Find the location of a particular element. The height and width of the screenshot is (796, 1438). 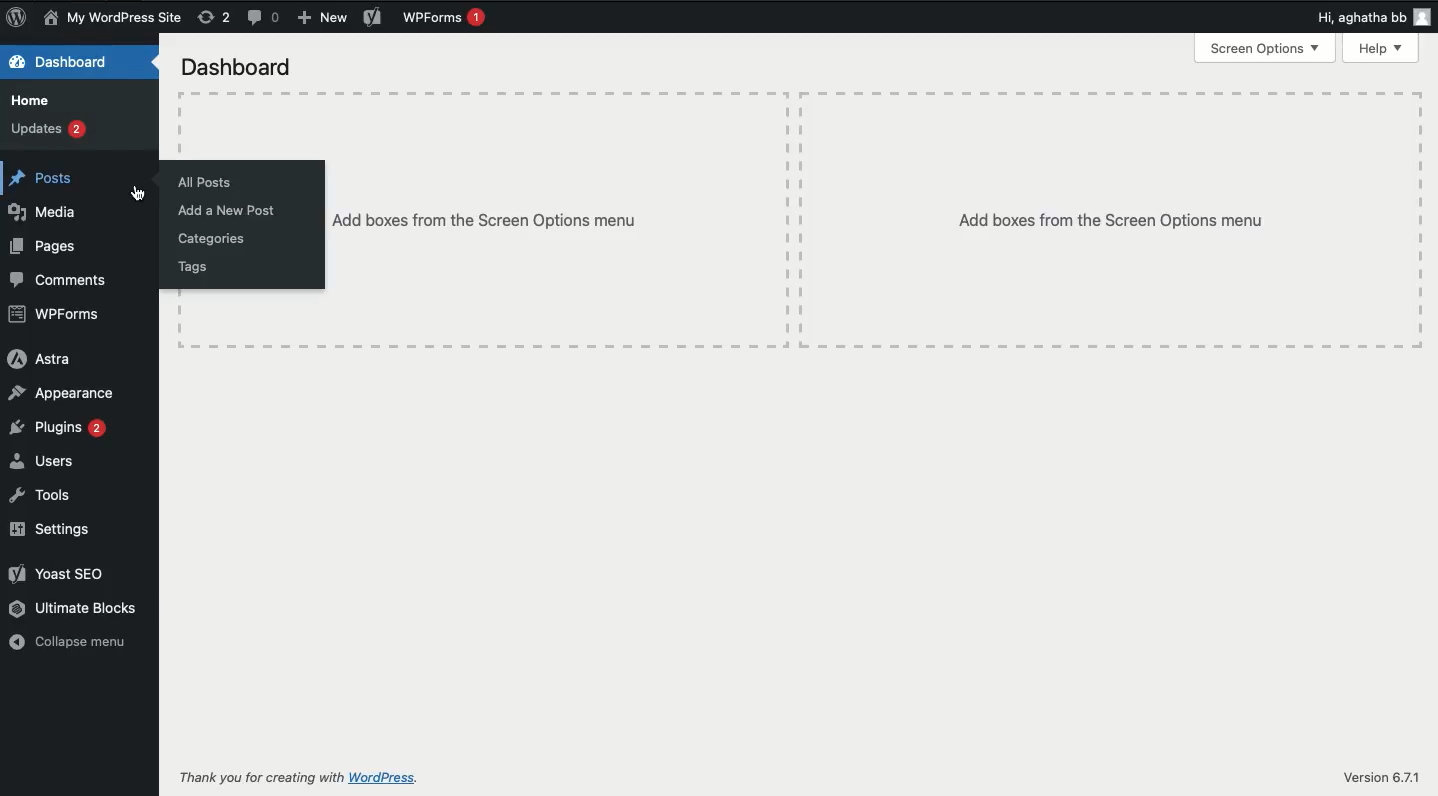

Posts is located at coordinates (42, 179).